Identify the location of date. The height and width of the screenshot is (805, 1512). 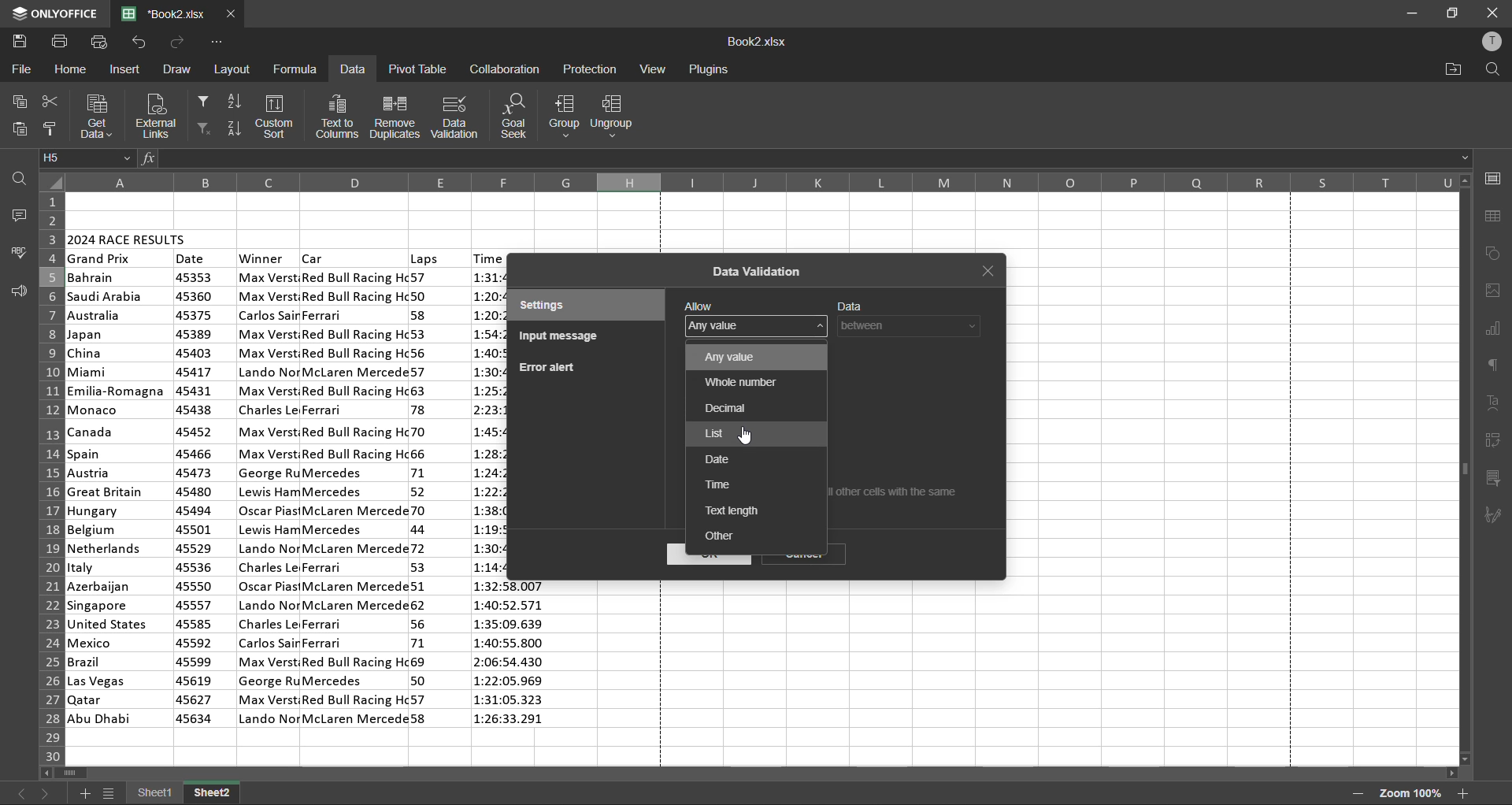
(191, 258).